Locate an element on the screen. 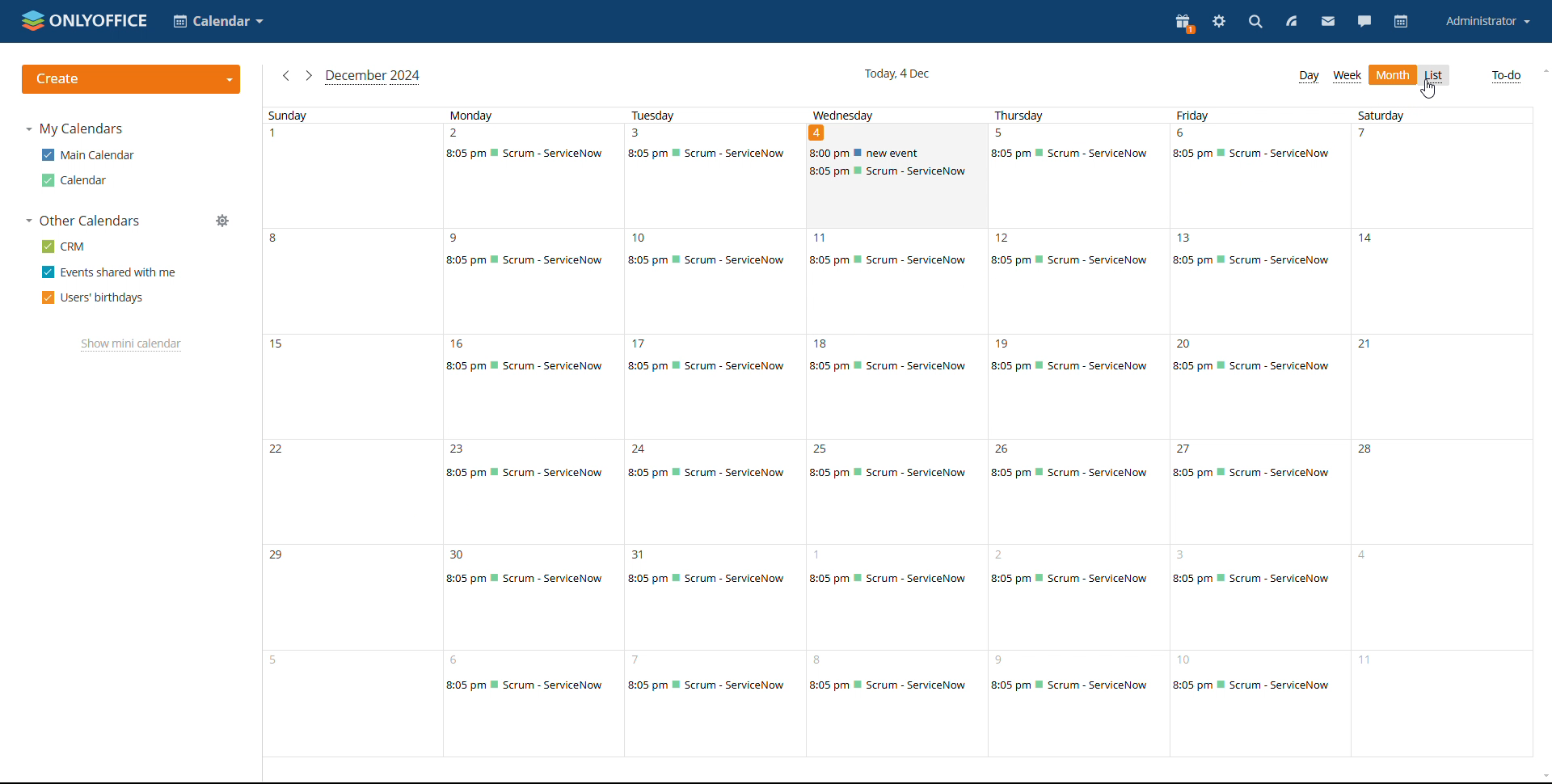  current date is located at coordinates (895, 73).